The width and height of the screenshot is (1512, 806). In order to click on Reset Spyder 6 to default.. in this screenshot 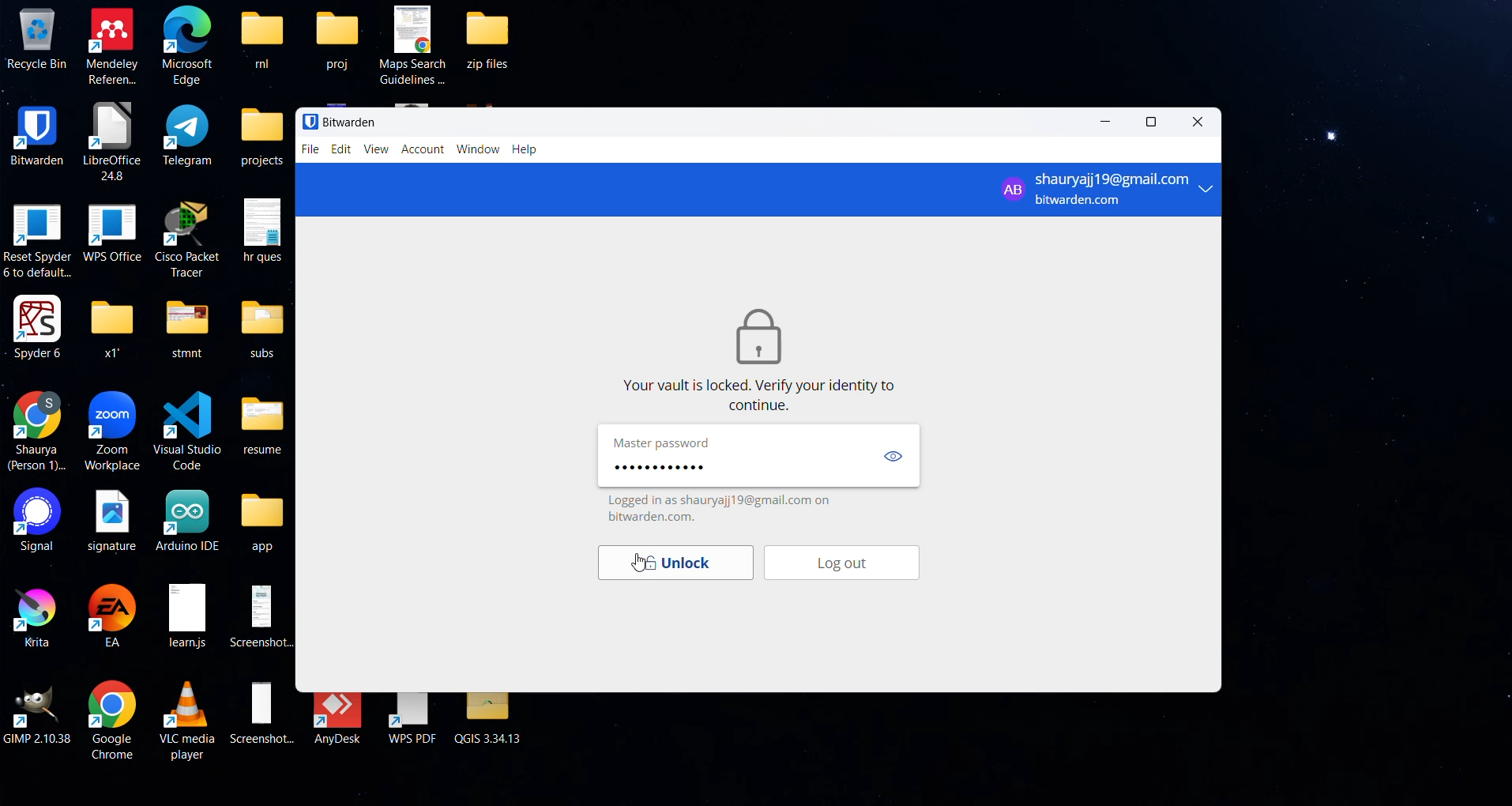, I will do `click(37, 240)`.